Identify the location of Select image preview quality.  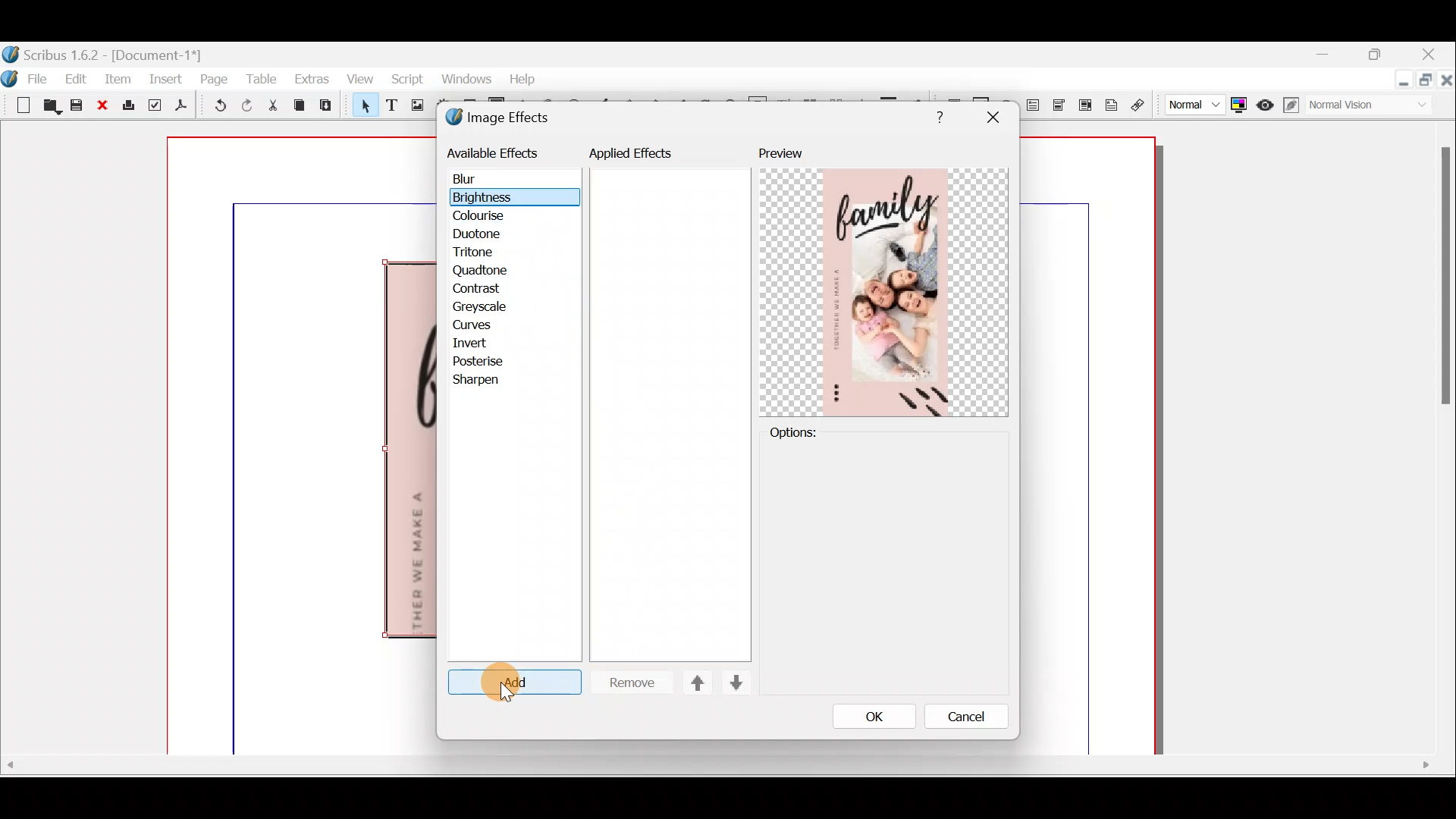
(1191, 102).